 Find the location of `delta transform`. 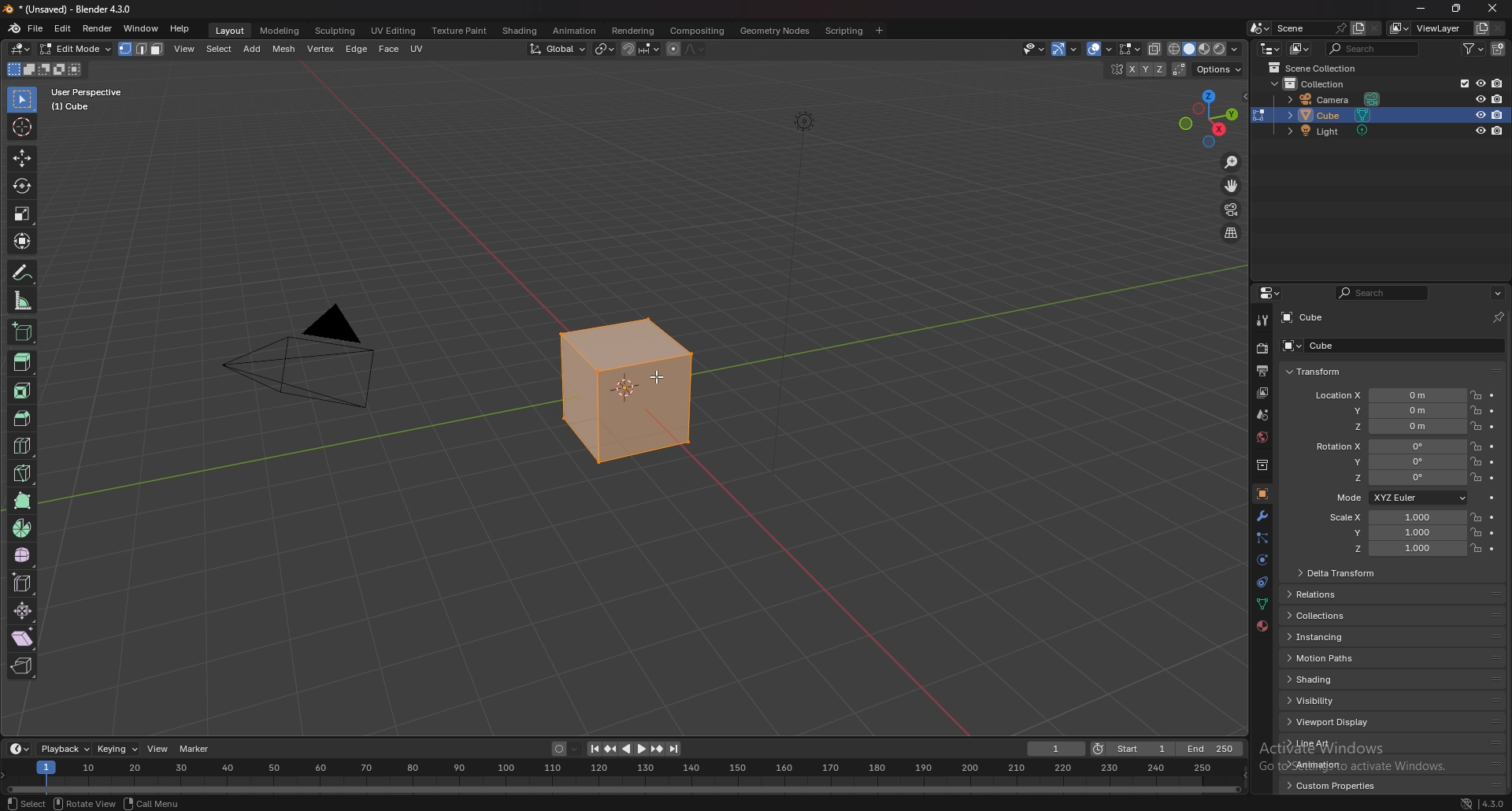

delta transform is located at coordinates (1359, 573).